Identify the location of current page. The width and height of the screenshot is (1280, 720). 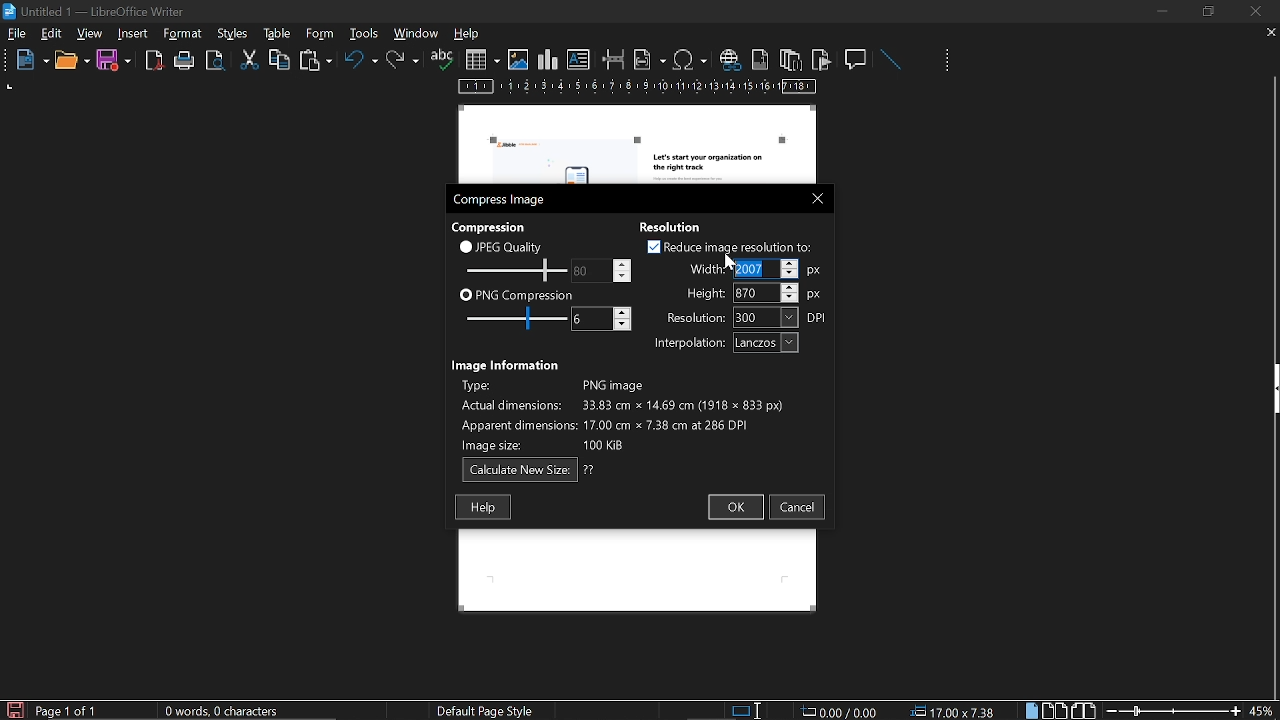
(67, 711).